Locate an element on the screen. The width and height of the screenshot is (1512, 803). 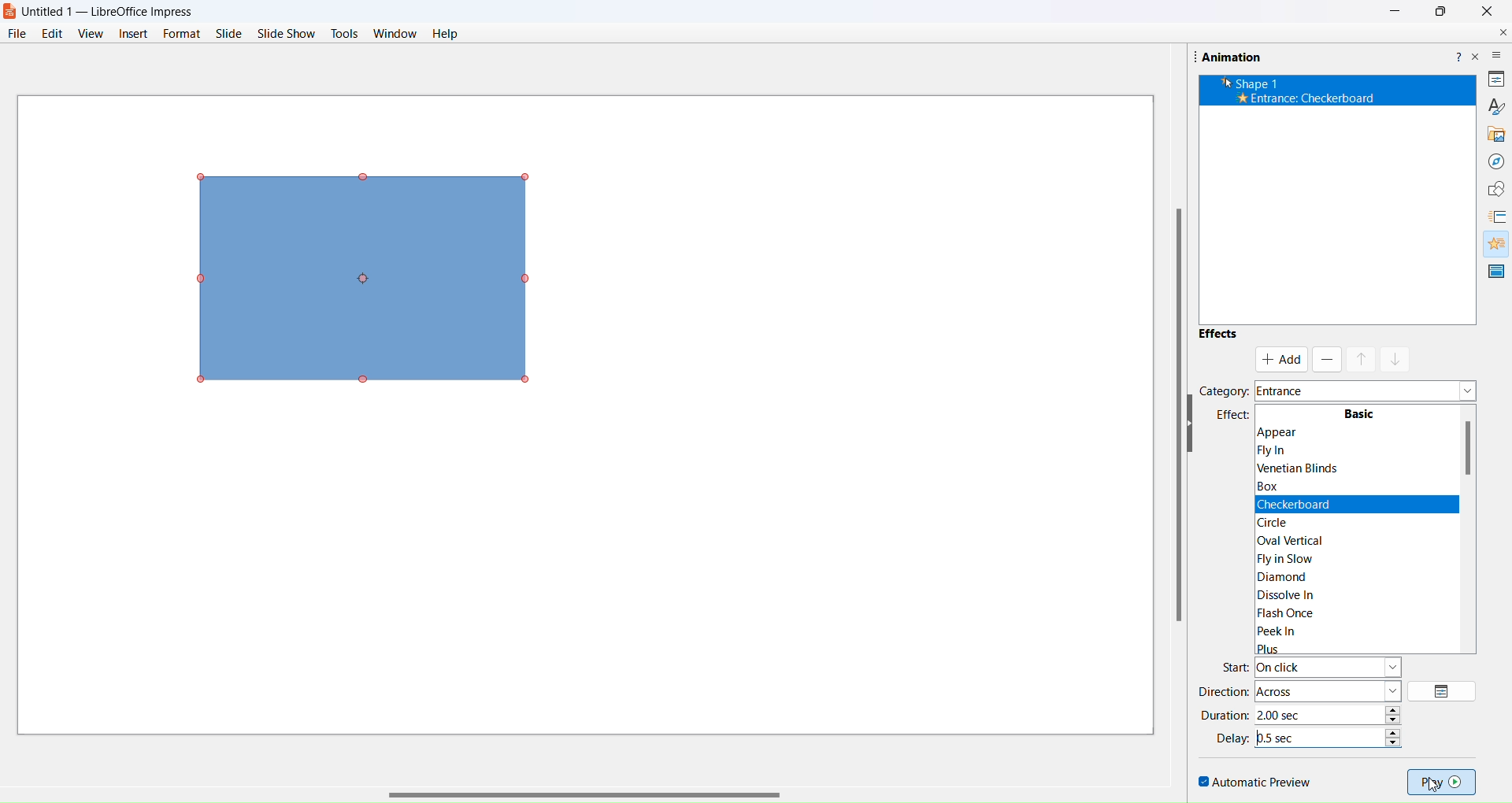
Basic is located at coordinates (1358, 416).